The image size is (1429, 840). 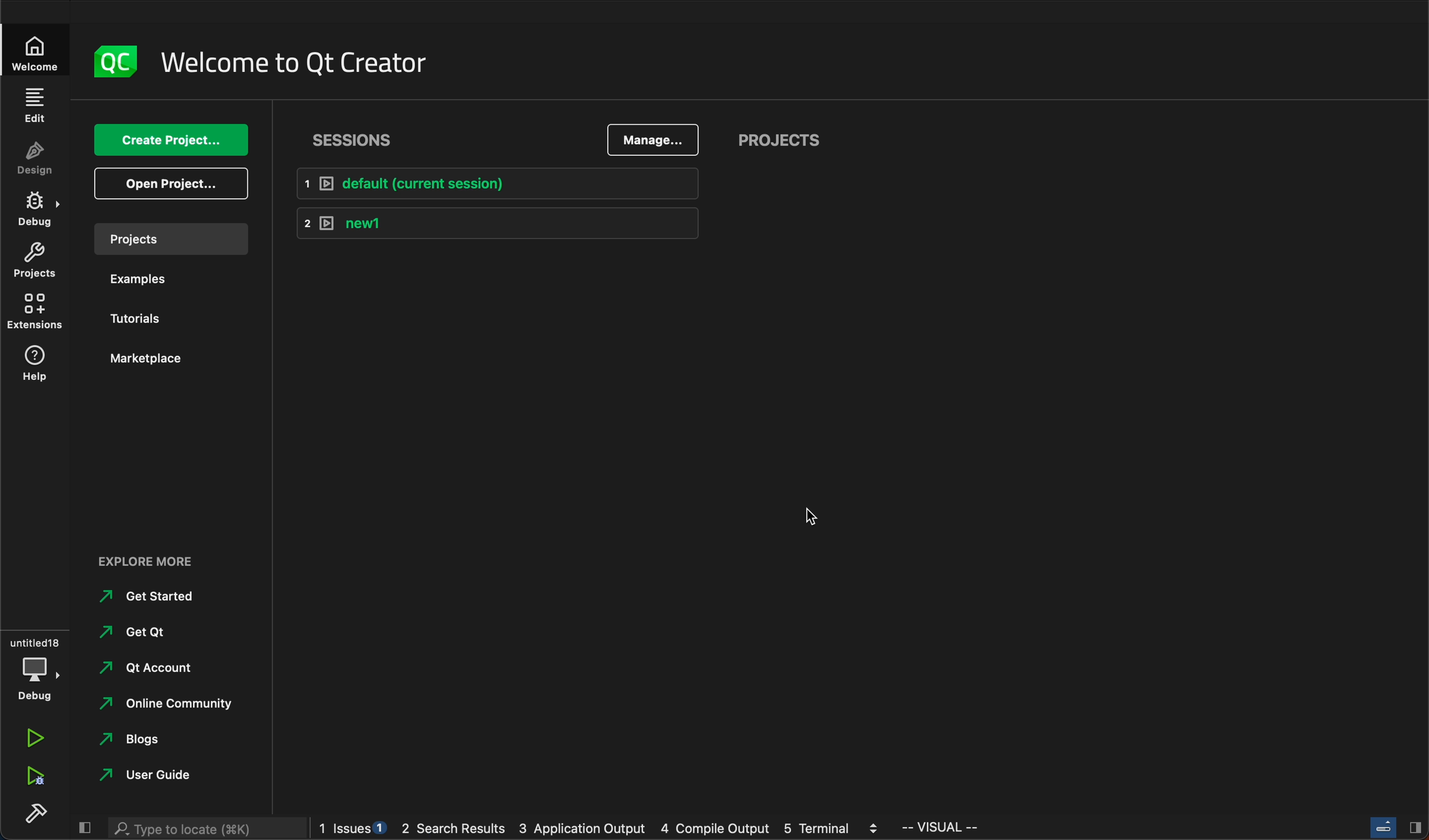 What do you see at coordinates (168, 184) in the screenshot?
I see `open ` at bounding box center [168, 184].